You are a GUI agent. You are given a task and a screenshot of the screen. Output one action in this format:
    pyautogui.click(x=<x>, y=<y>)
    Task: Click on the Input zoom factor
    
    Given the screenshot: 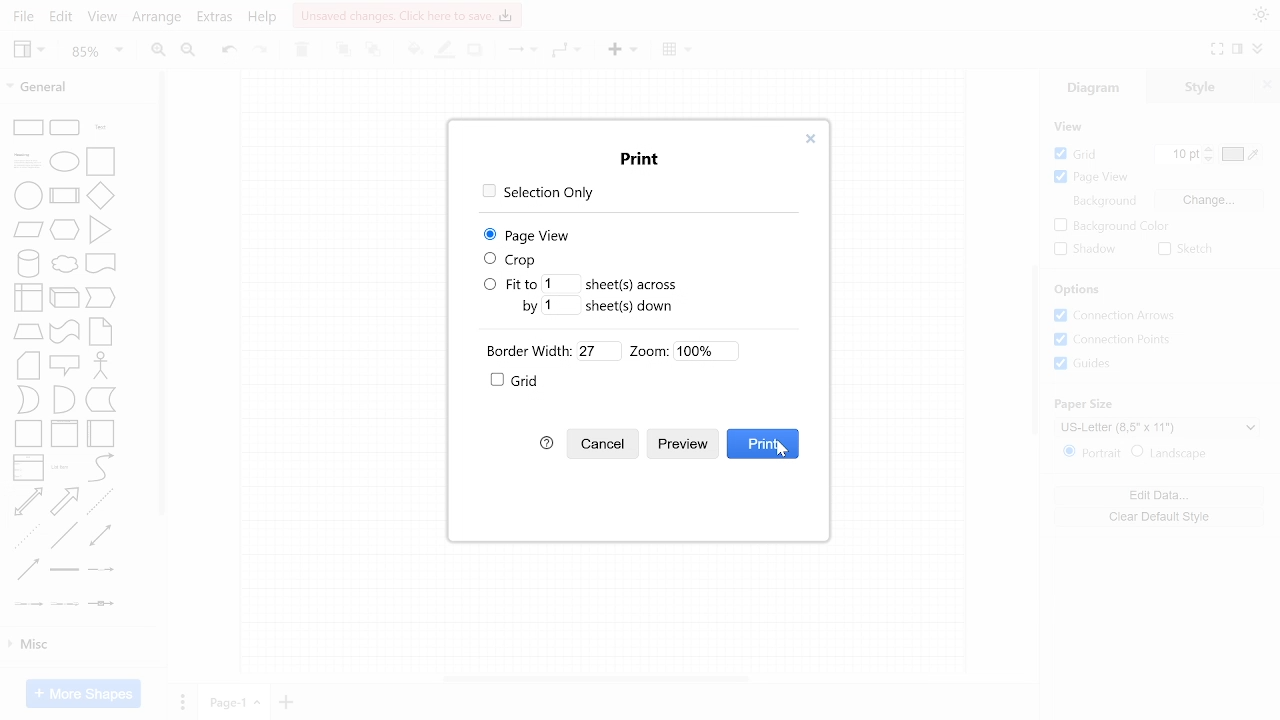 What is the action you would take?
    pyautogui.click(x=706, y=351)
    